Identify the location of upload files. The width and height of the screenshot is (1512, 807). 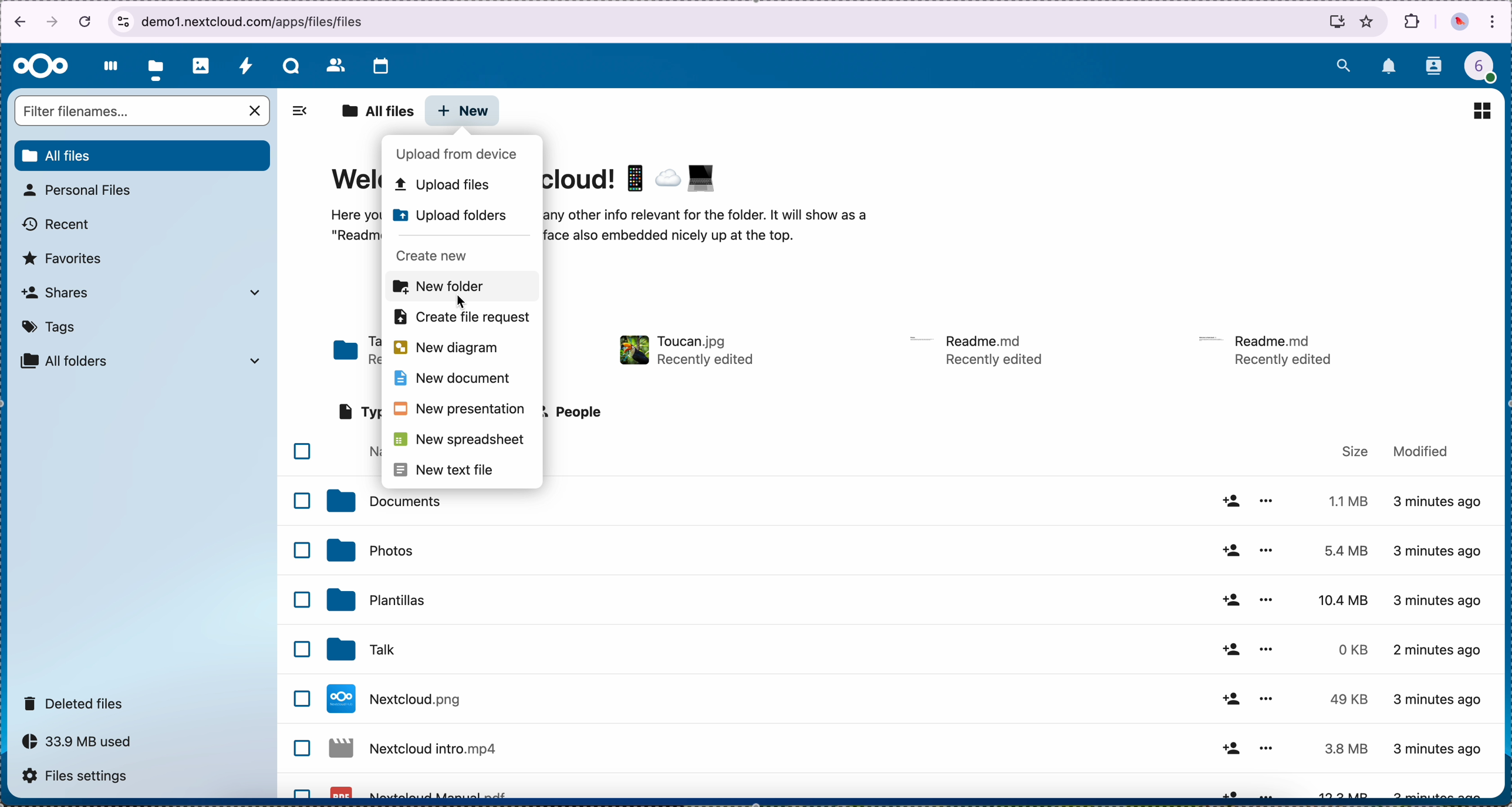
(451, 185).